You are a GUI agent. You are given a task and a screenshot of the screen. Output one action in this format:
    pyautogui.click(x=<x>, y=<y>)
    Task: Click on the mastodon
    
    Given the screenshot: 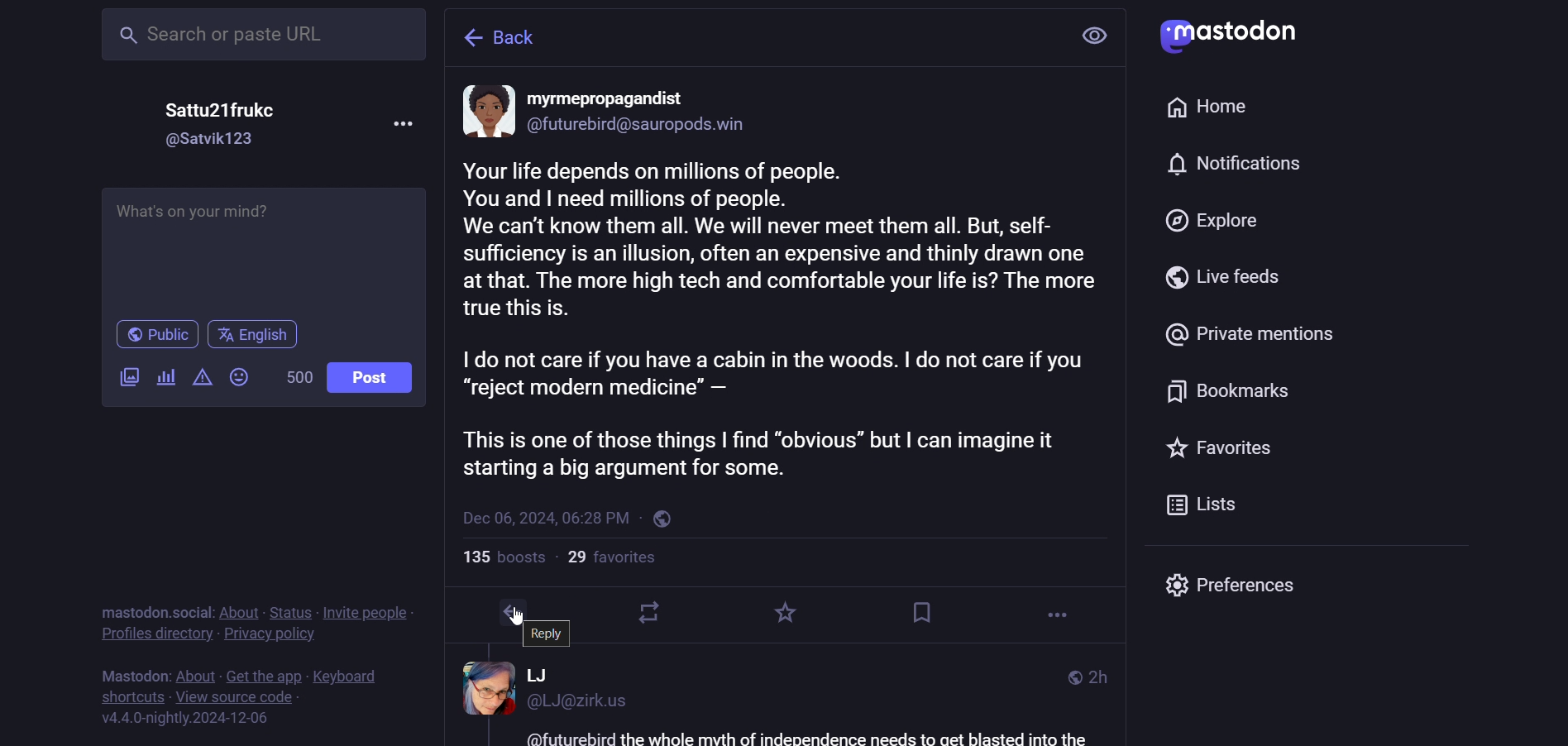 What is the action you would take?
    pyautogui.click(x=136, y=673)
    